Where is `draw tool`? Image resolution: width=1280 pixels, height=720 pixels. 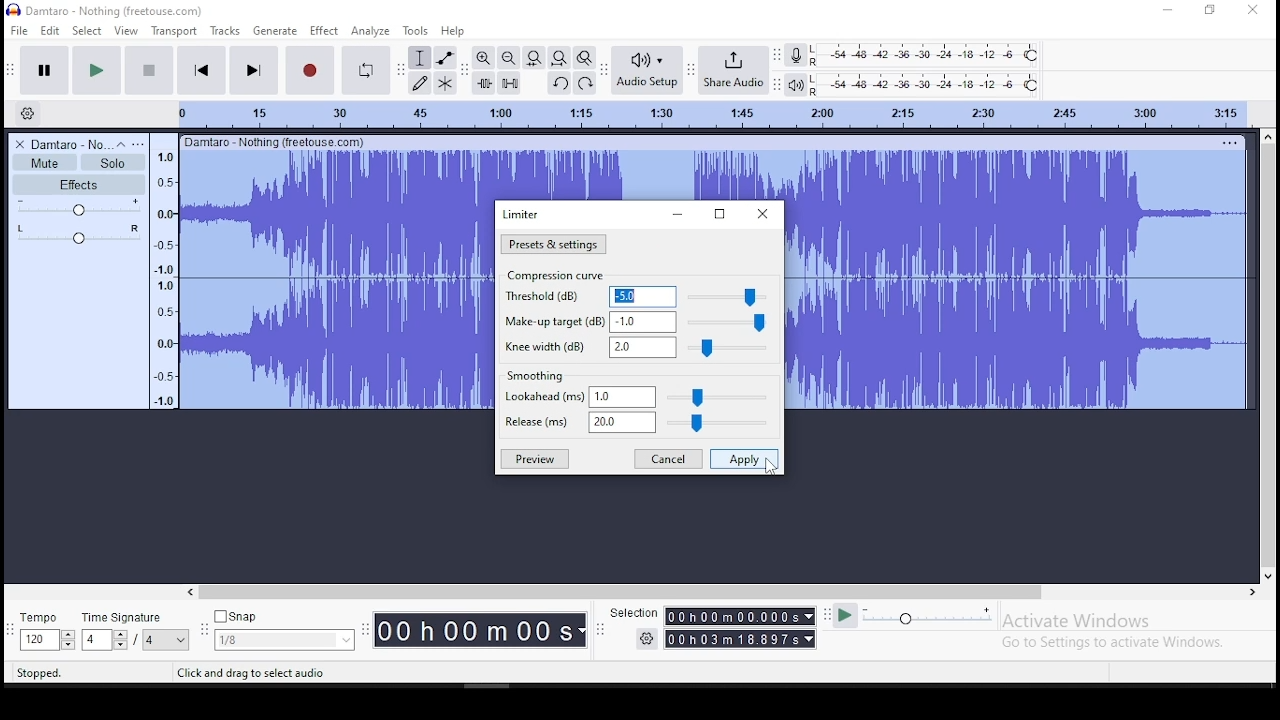 draw tool is located at coordinates (420, 83).